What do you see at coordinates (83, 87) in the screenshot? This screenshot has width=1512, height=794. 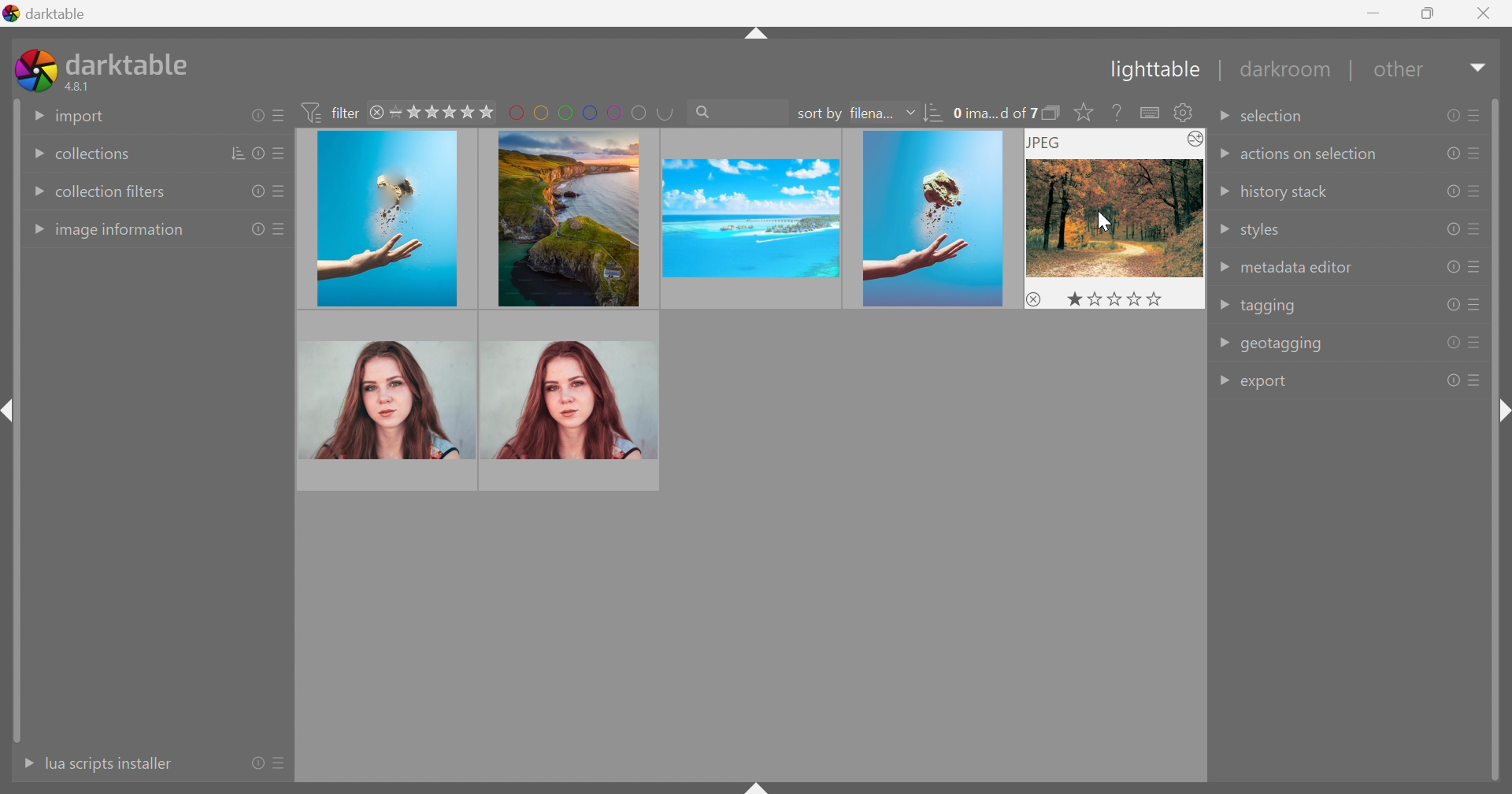 I see `4.8.1` at bounding box center [83, 87].